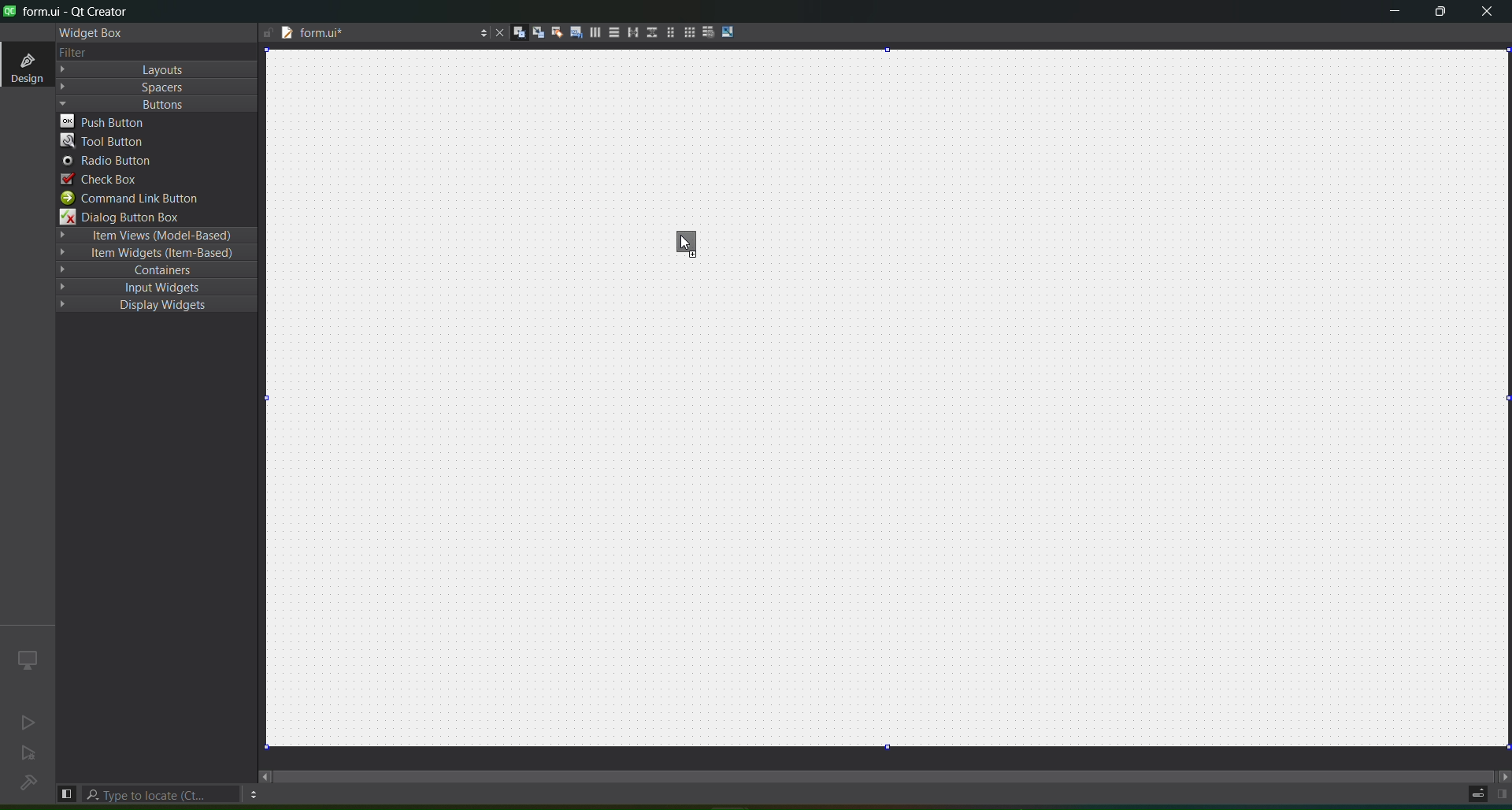 The image size is (1512, 810). I want to click on command link button, so click(154, 198).